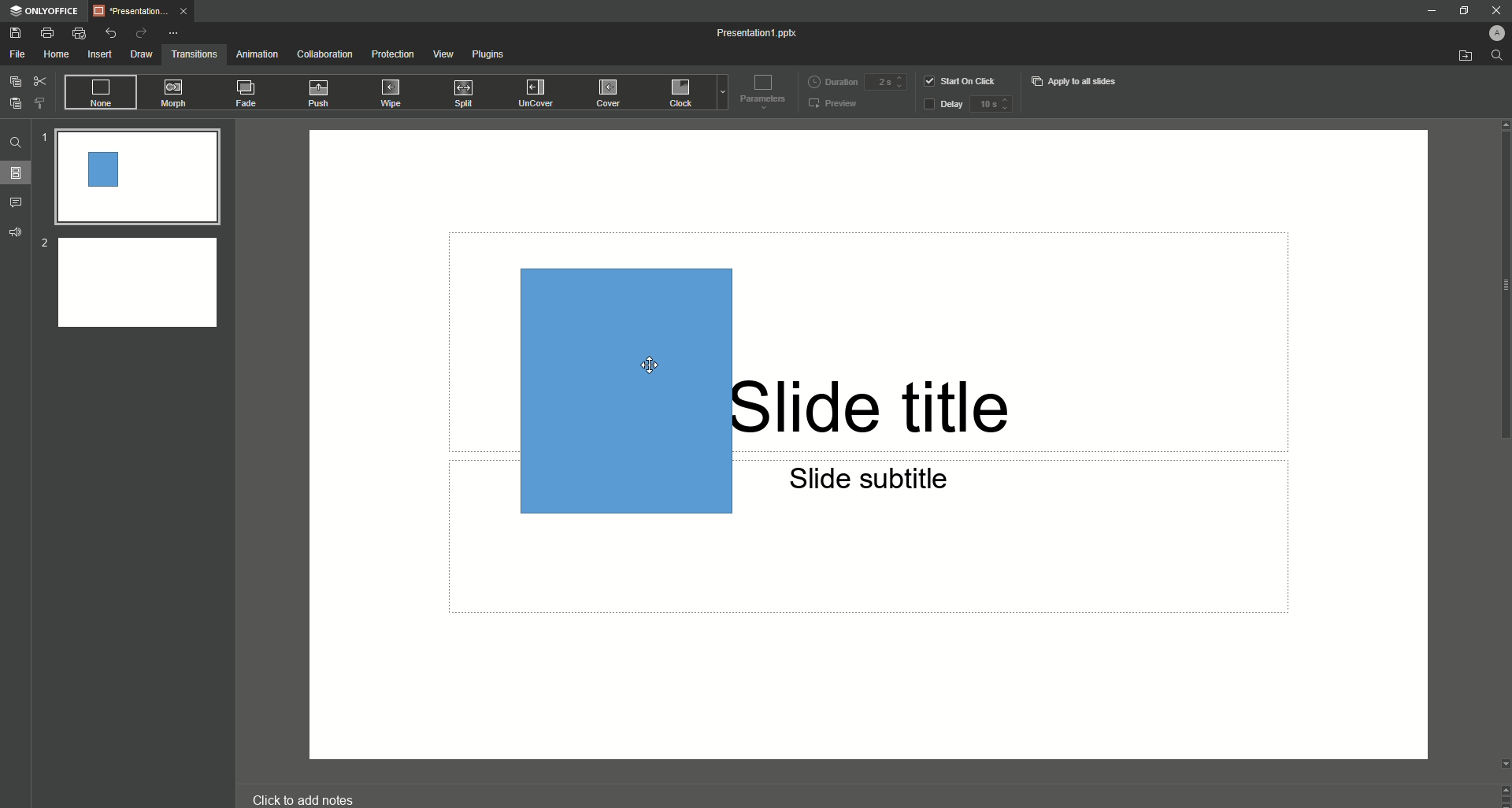 Image resolution: width=1512 pixels, height=808 pixels. I want to click on Slide subtitle, so click(872, 484).